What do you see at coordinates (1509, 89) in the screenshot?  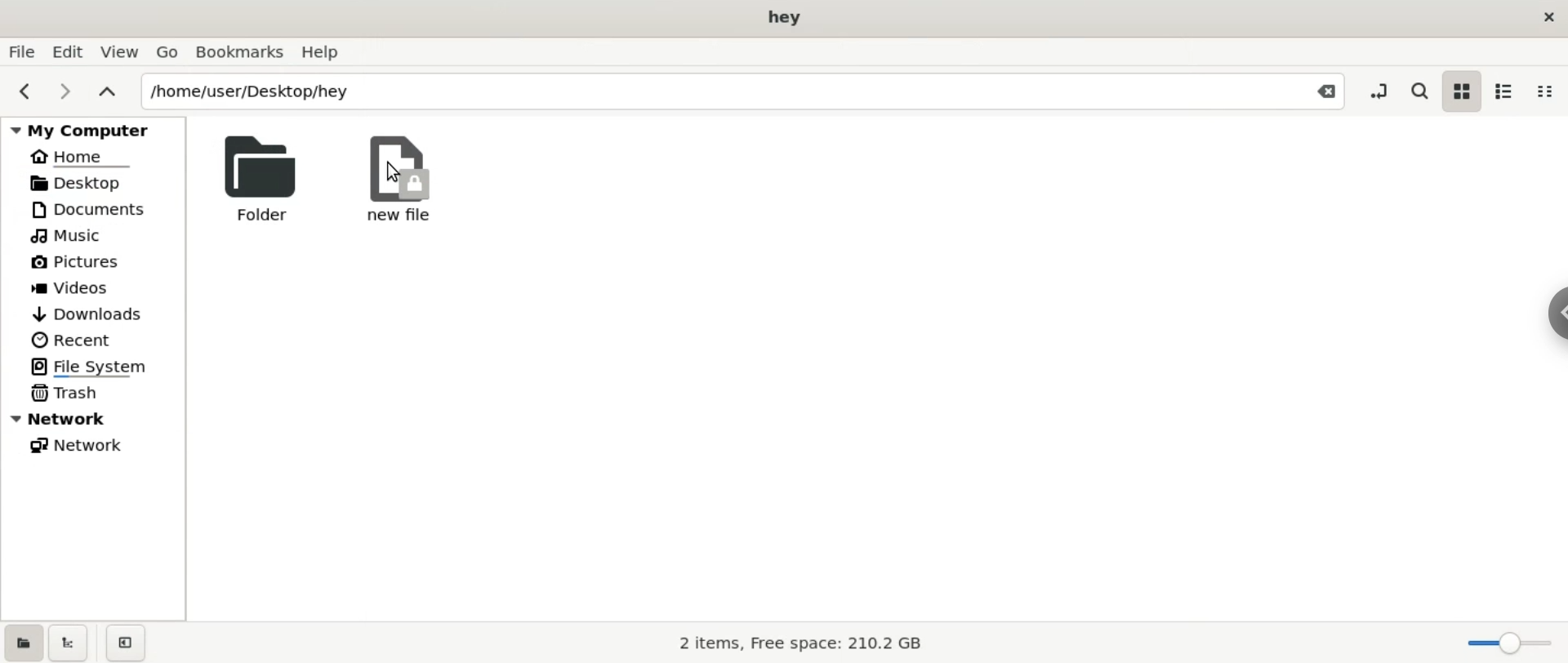 I see `lis view` at bounding box center [1509, 89].